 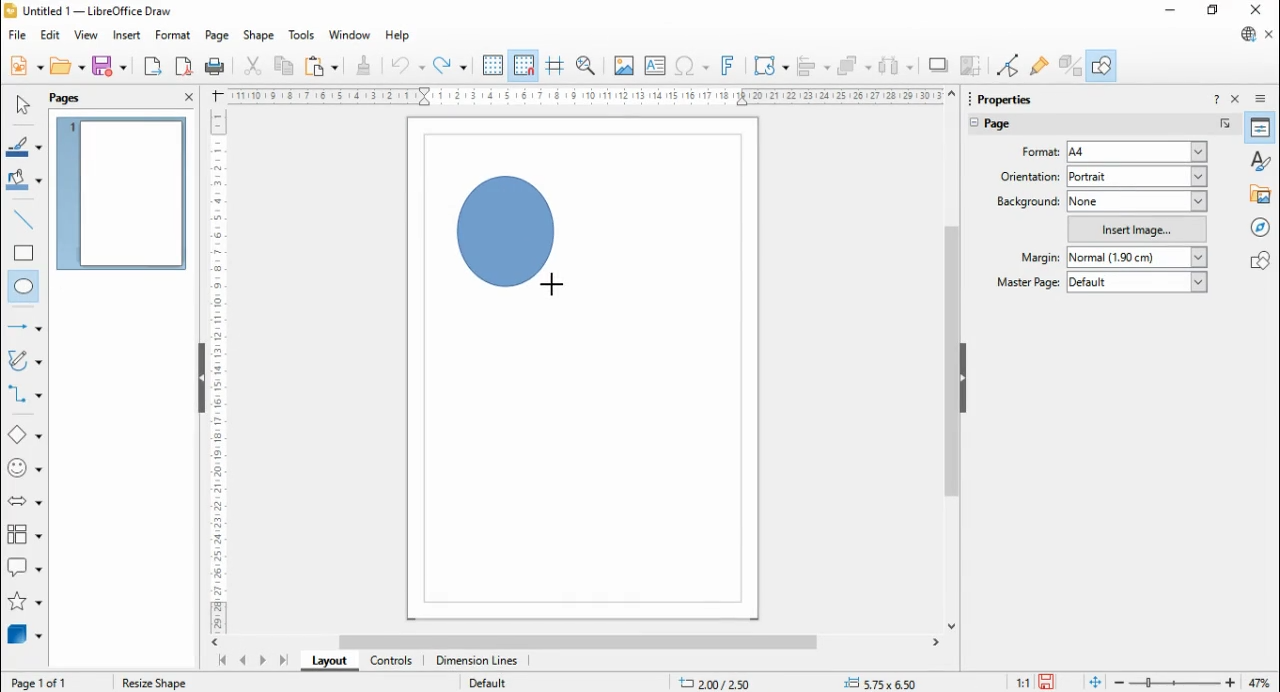 I want to click on edit, so click(x=50, y=35).